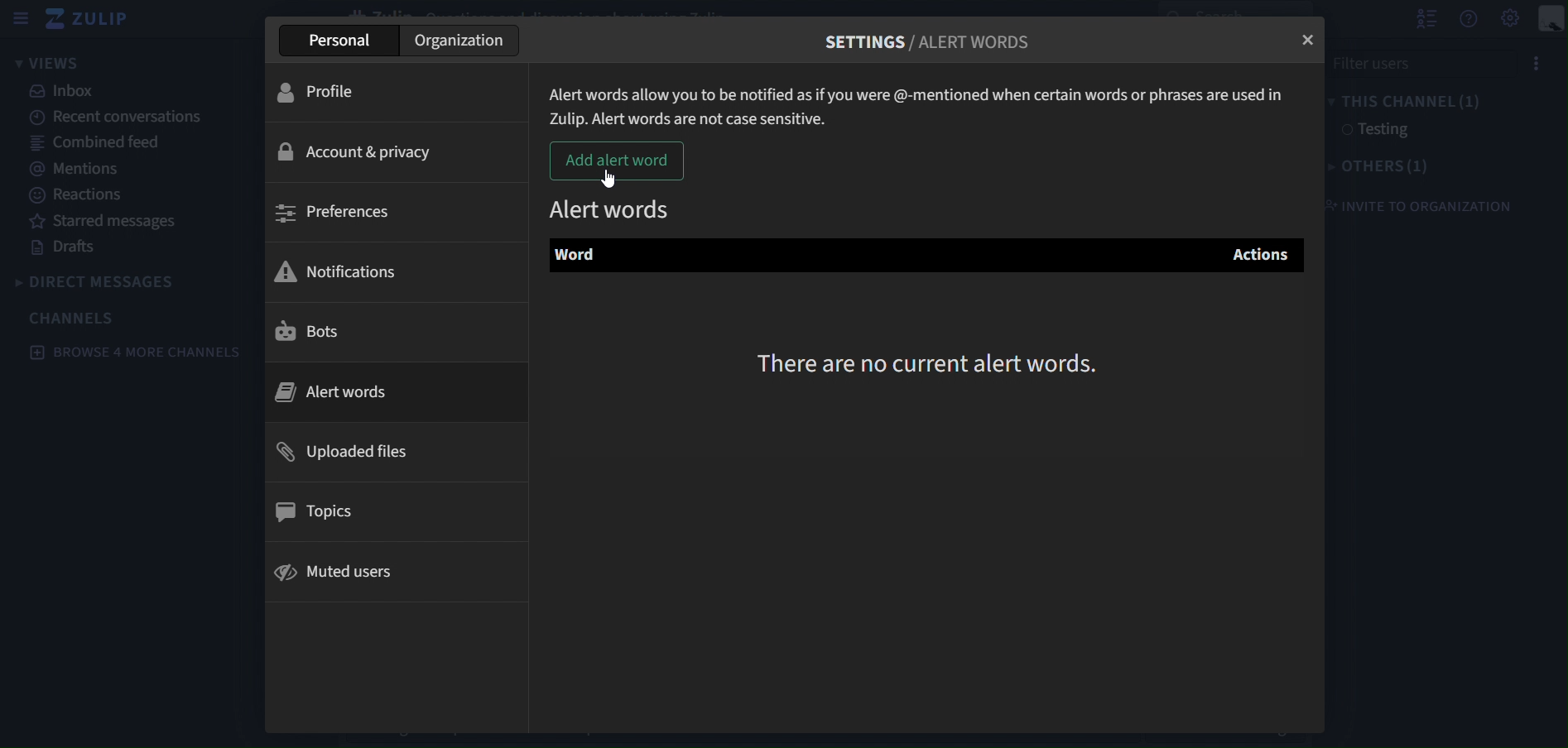 This screenshot has height=748, width=1568. I want to click on Cursor, so click(609, 179).